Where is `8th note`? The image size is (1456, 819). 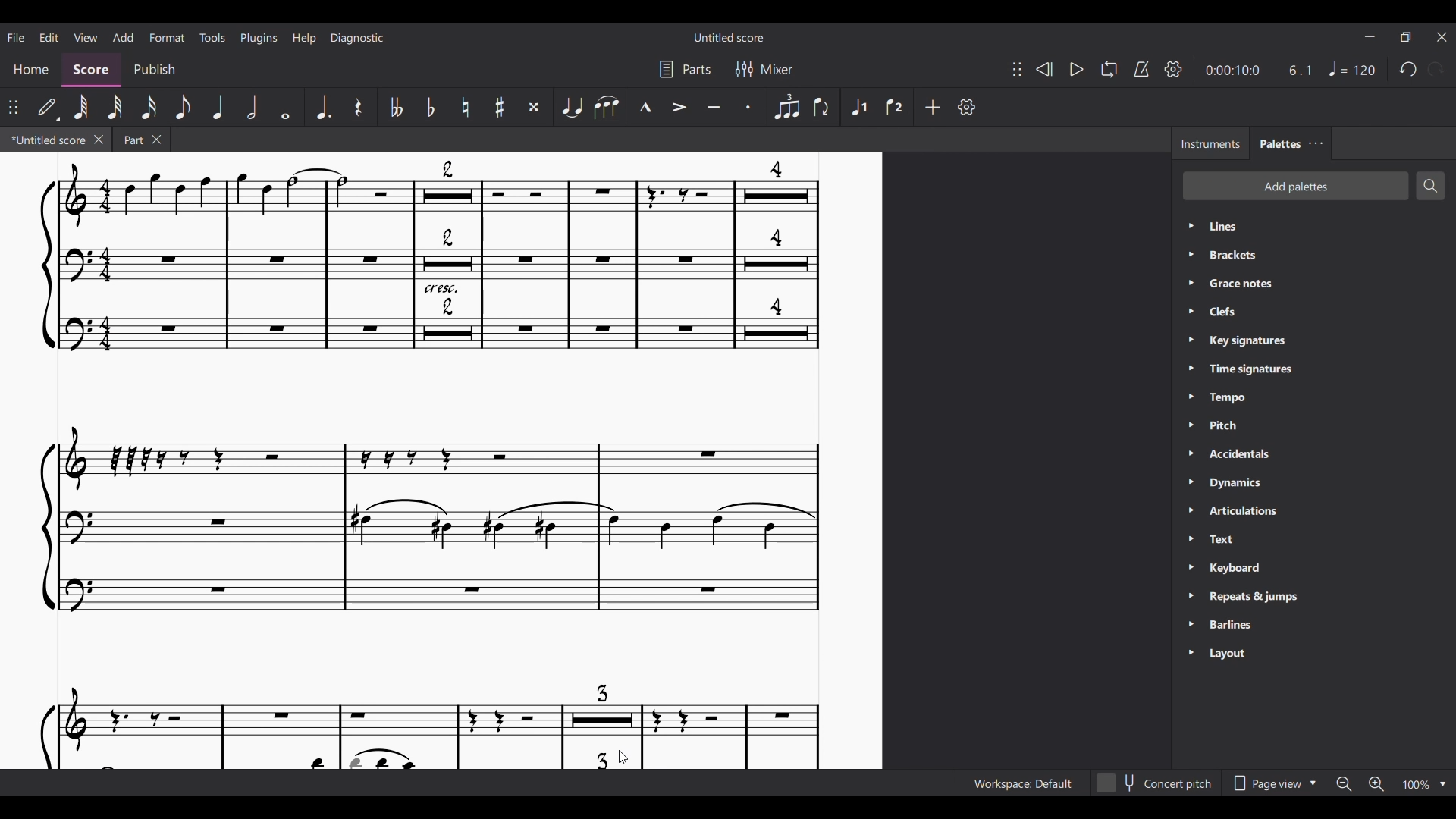 8th note is located at coordinates (182, 107).